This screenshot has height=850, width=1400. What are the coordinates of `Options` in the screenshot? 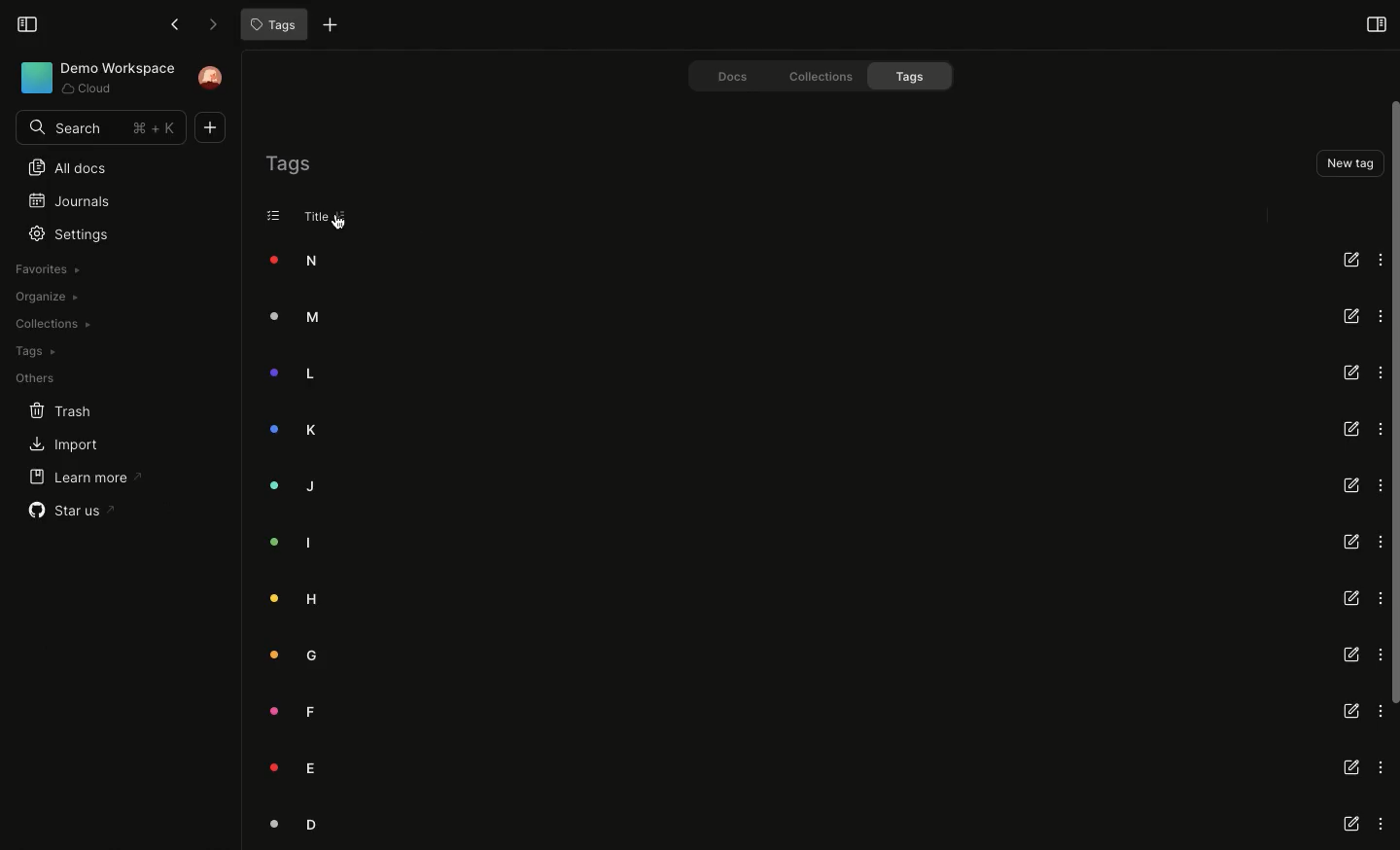 It's located at (1381, 767).